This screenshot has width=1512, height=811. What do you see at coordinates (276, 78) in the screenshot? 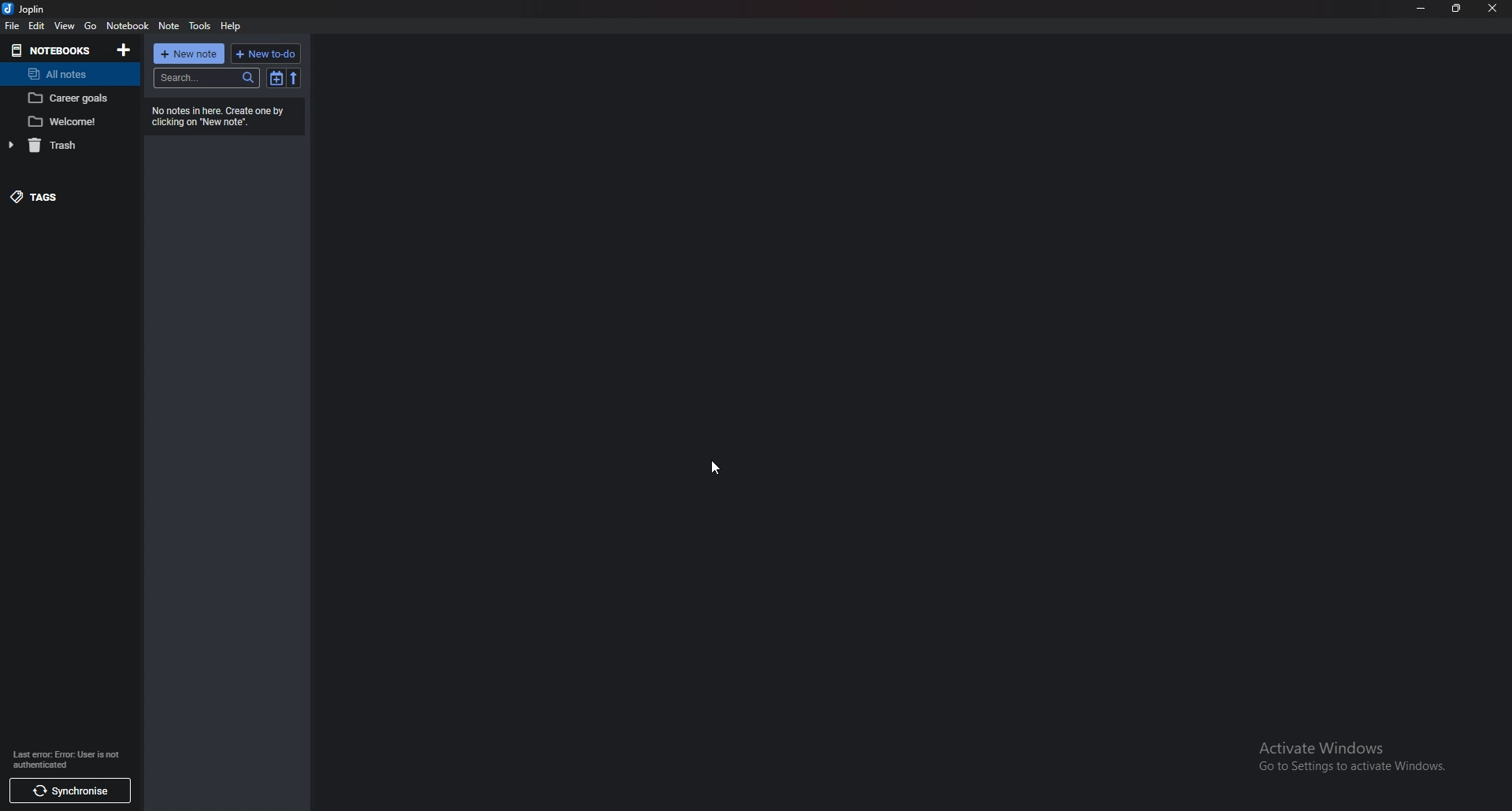
I see `Toggle sort` at bounding box center [276, 78].